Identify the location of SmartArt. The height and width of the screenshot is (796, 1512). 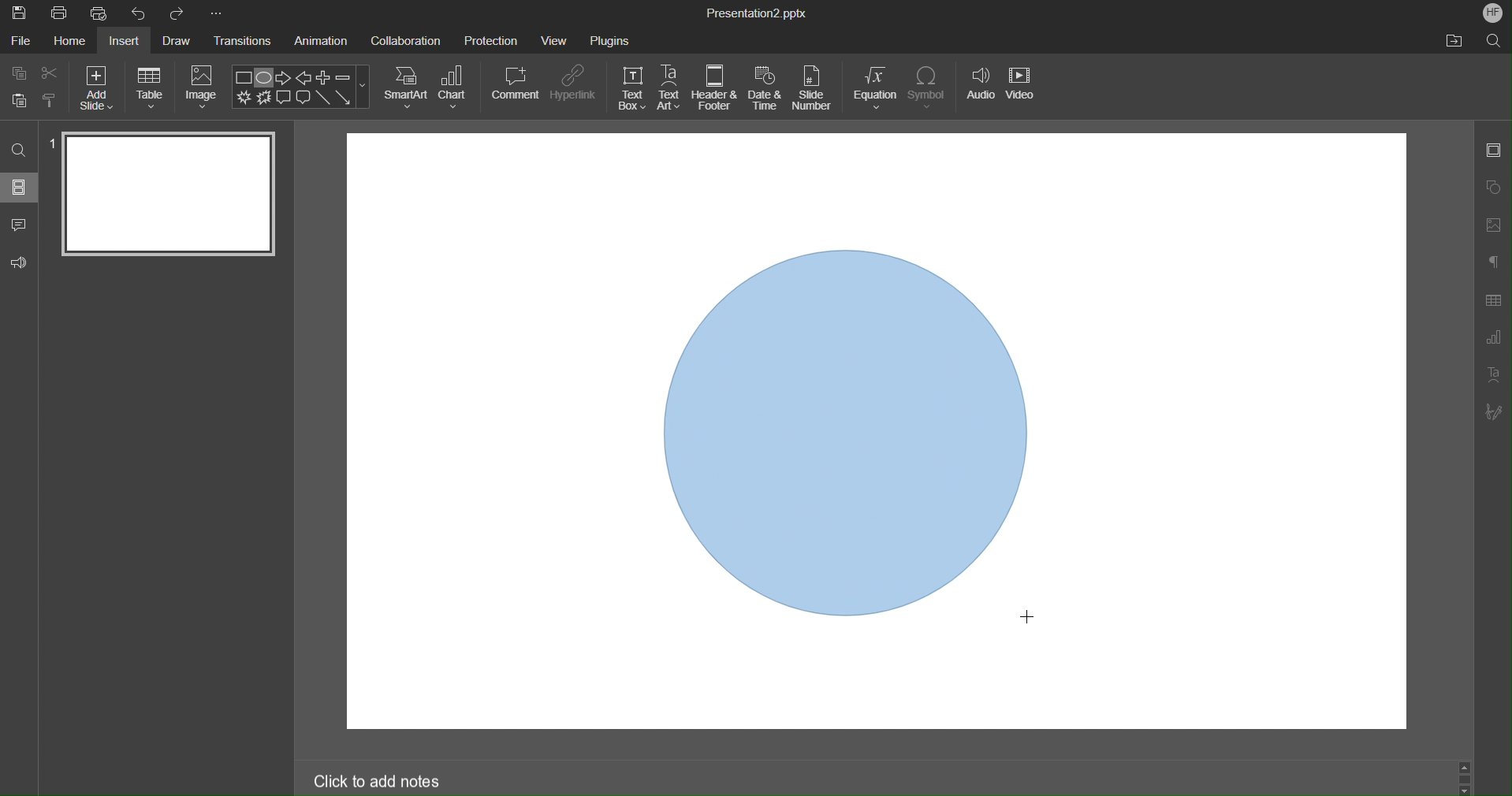
(406, 87).